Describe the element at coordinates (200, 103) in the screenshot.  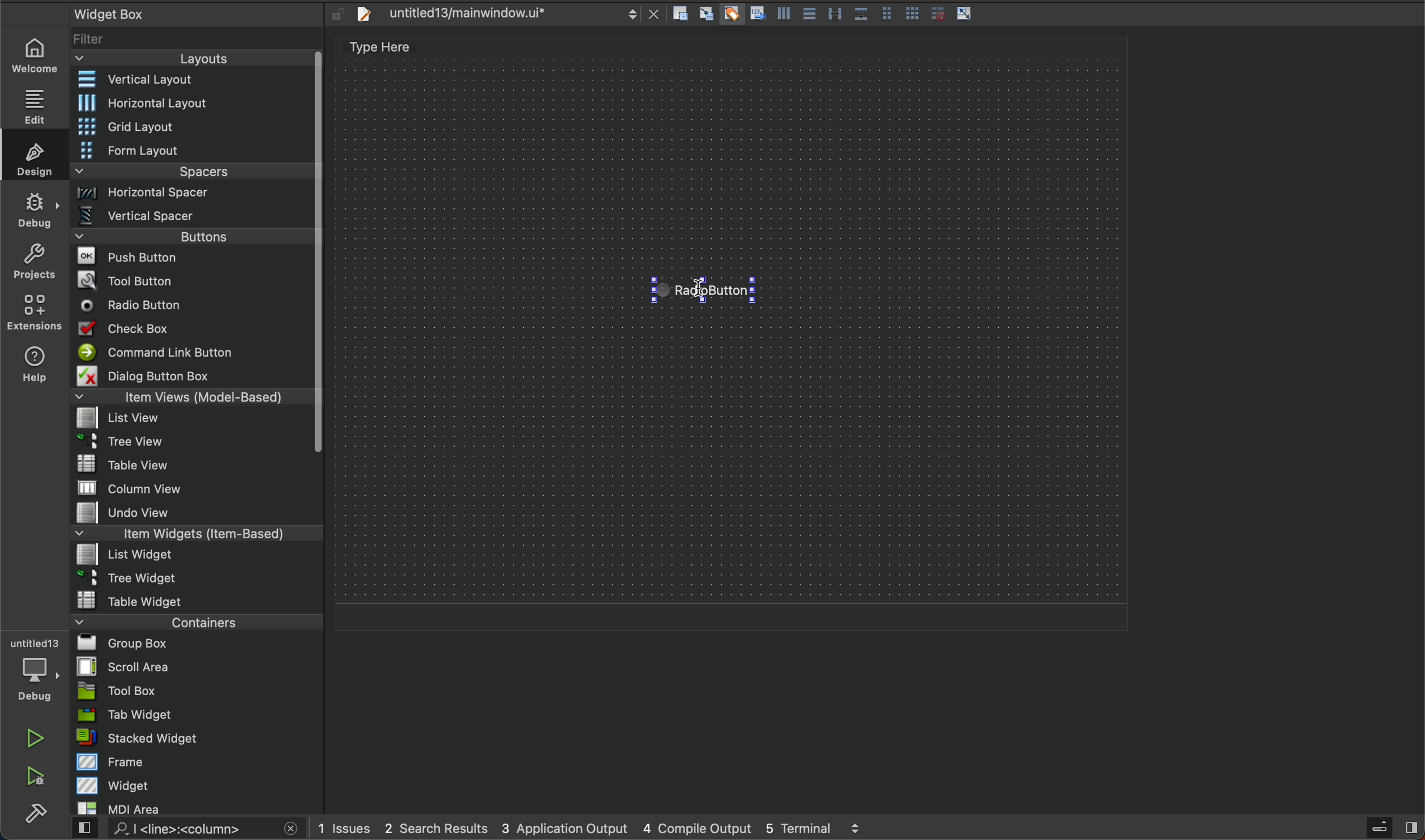
I see `` at that location.